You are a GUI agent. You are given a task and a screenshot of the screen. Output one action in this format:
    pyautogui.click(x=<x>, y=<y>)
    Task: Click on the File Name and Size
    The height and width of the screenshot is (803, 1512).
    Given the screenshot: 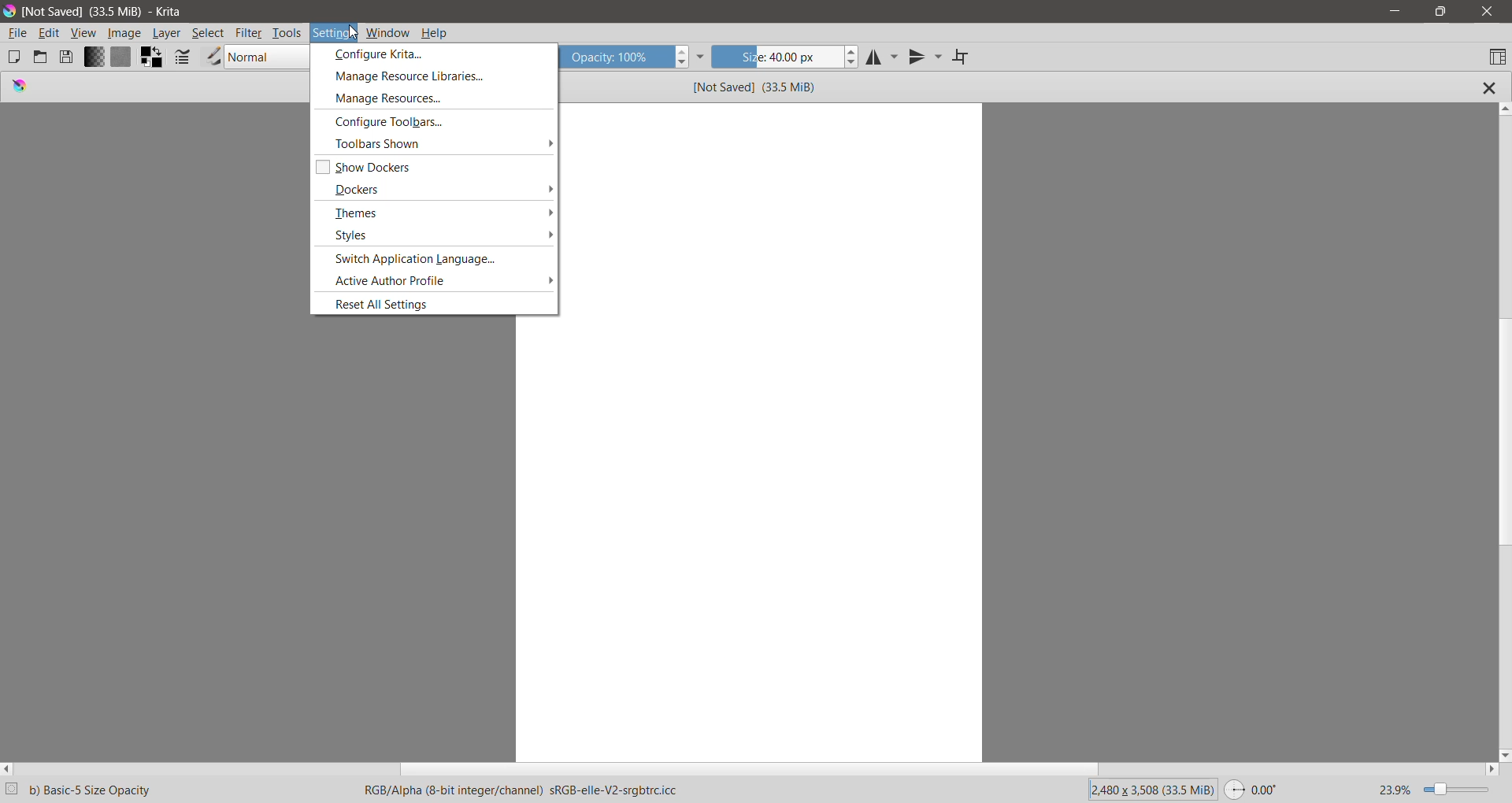 What is the action you would take?
    pyautogui.click(x=750, y=85)
    